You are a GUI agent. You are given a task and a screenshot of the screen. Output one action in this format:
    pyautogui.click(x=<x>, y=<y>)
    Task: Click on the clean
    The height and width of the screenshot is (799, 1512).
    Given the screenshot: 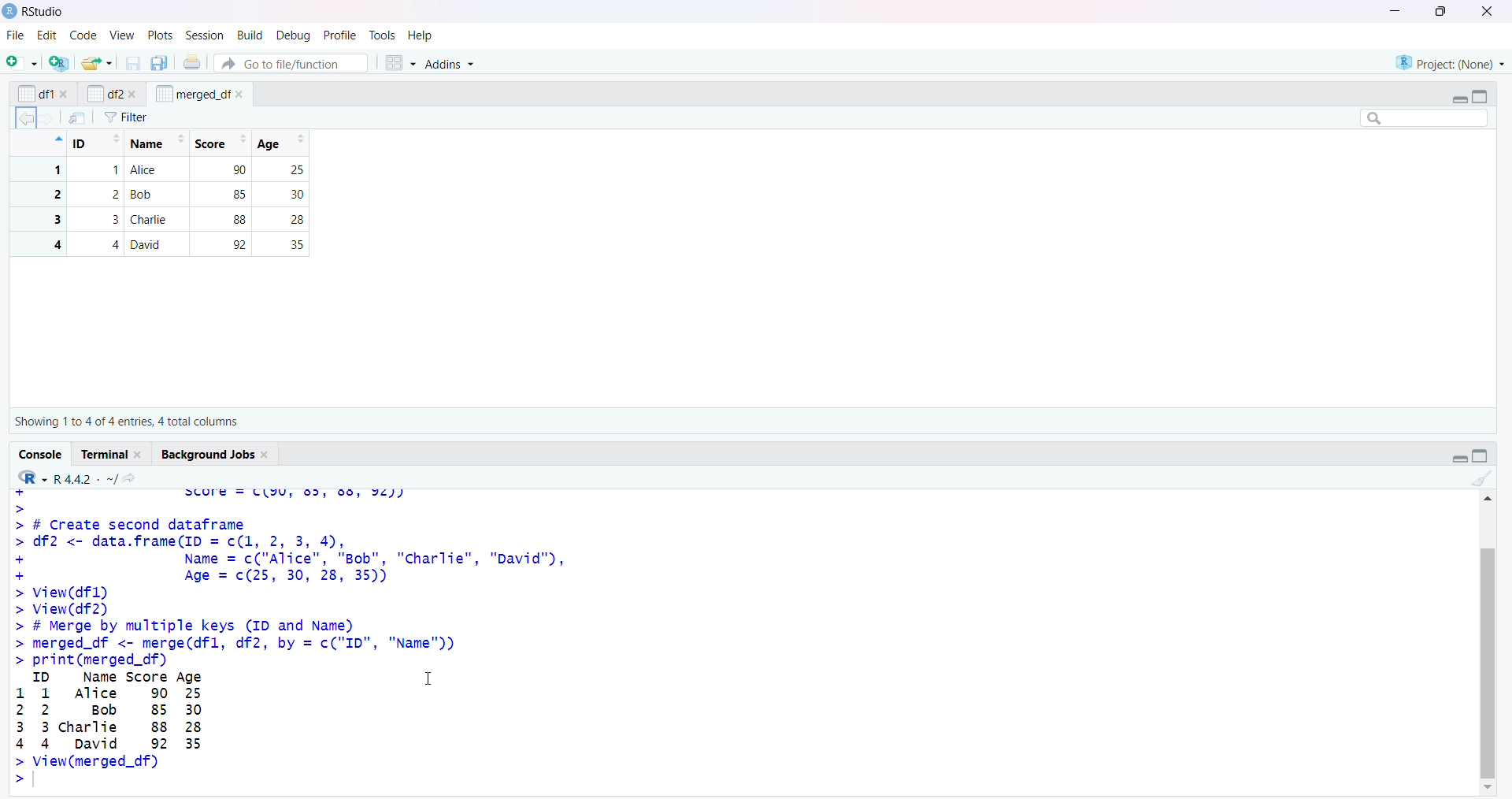 What is the action you would take?
    pyautogui.click(x=1483, y=479)
    